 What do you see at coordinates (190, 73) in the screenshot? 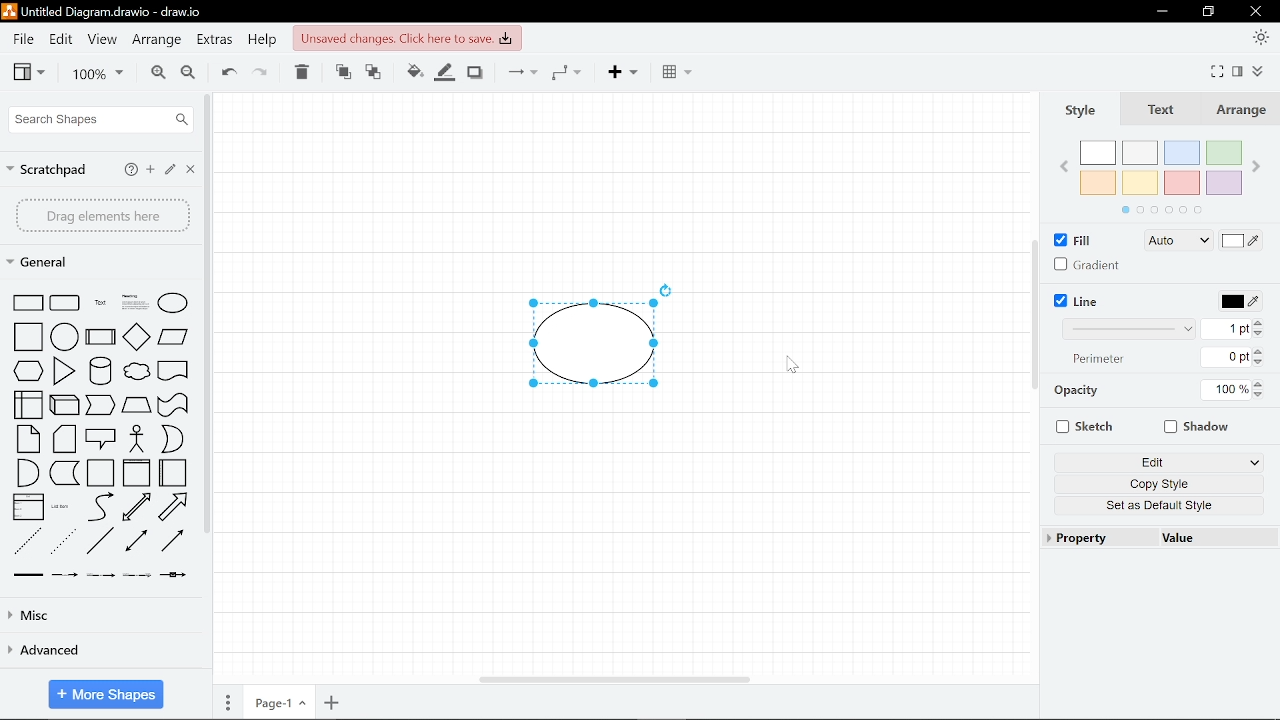
I see `Zoom out` at bounding box center [190, 73].